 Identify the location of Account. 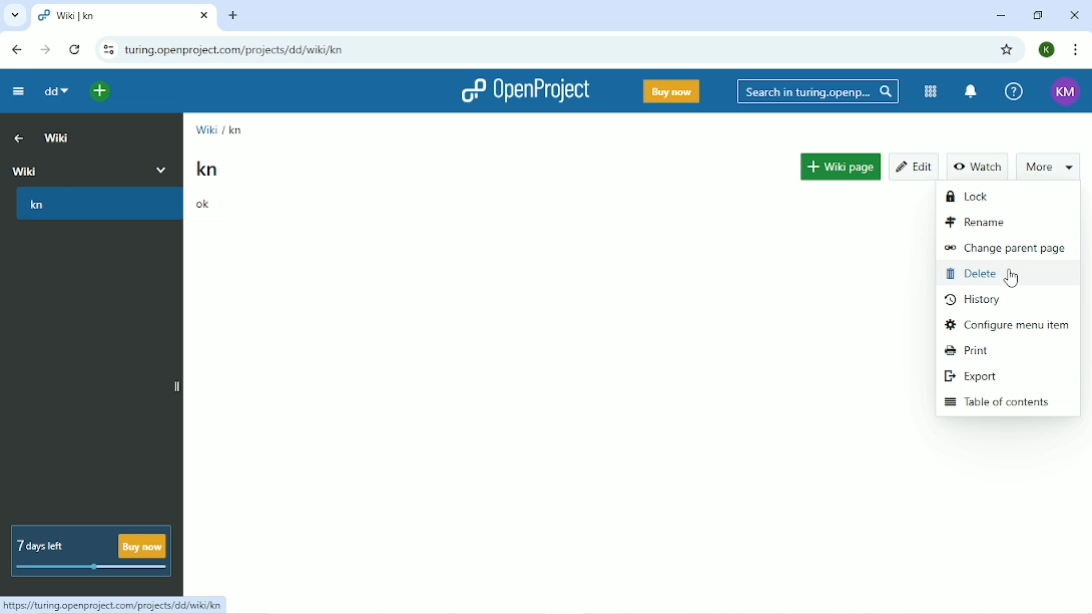
(1047, 50).